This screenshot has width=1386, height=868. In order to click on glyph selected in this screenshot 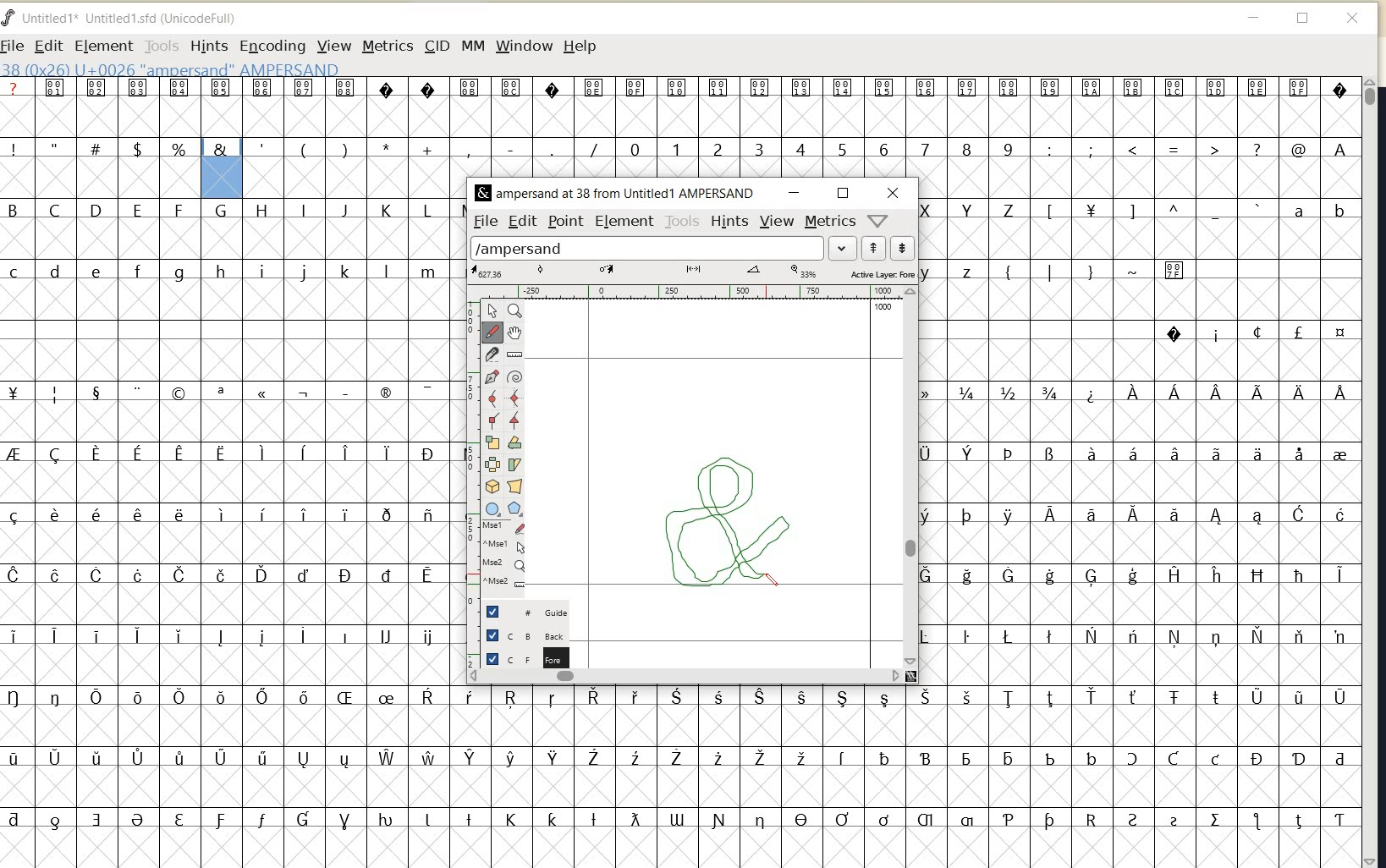, I will do `click(223, 168)`.